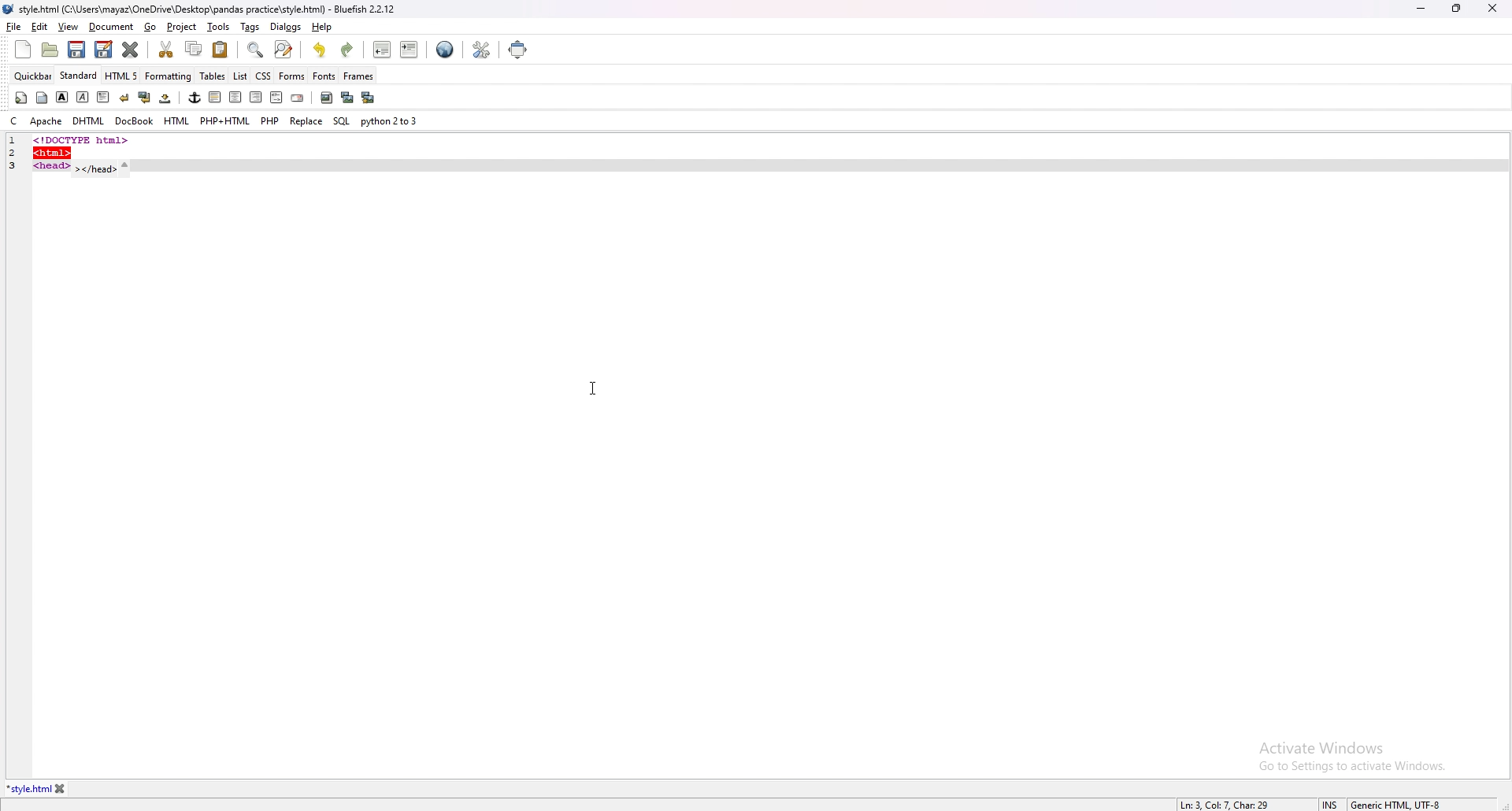 The width and height of the screenshot is (1512, 811). What do you see at coordinates (286, 27) in the screenshot?
I see `dialogs` at bounding box center [286, 27].